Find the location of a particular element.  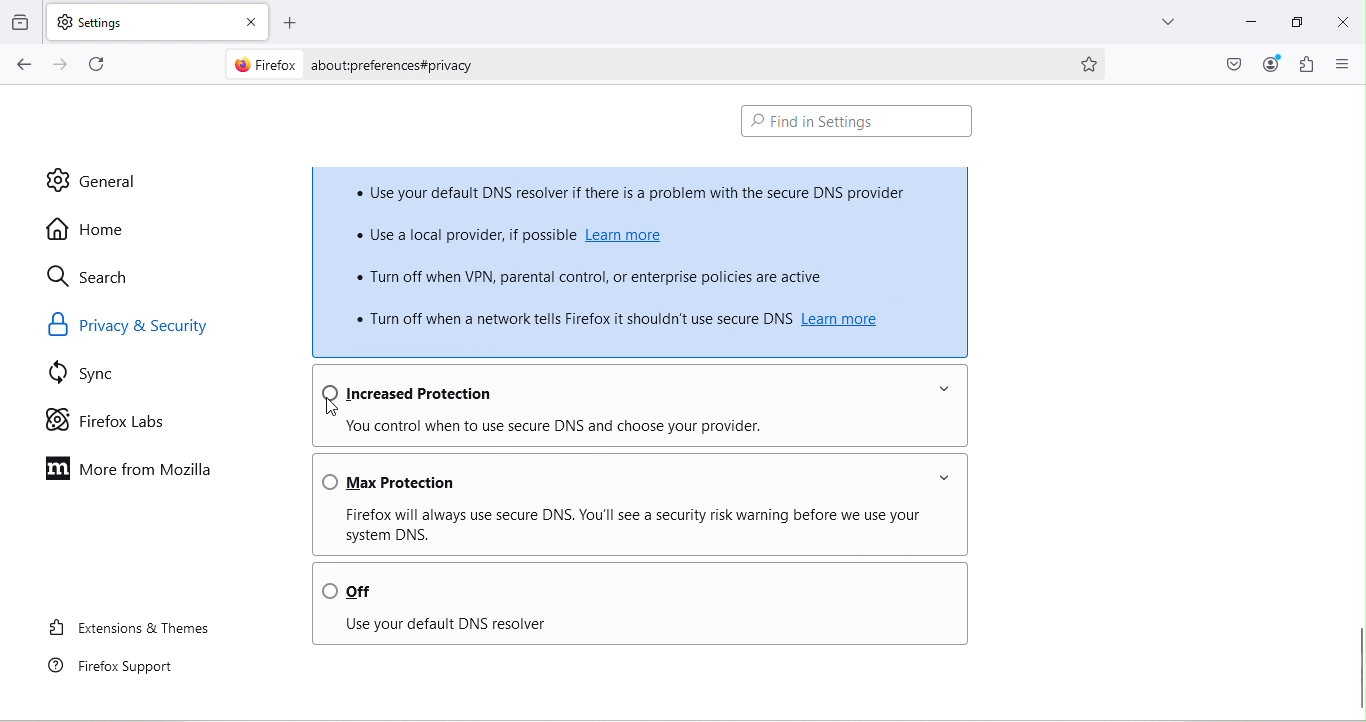

Home is located at coordinates (88, 228).